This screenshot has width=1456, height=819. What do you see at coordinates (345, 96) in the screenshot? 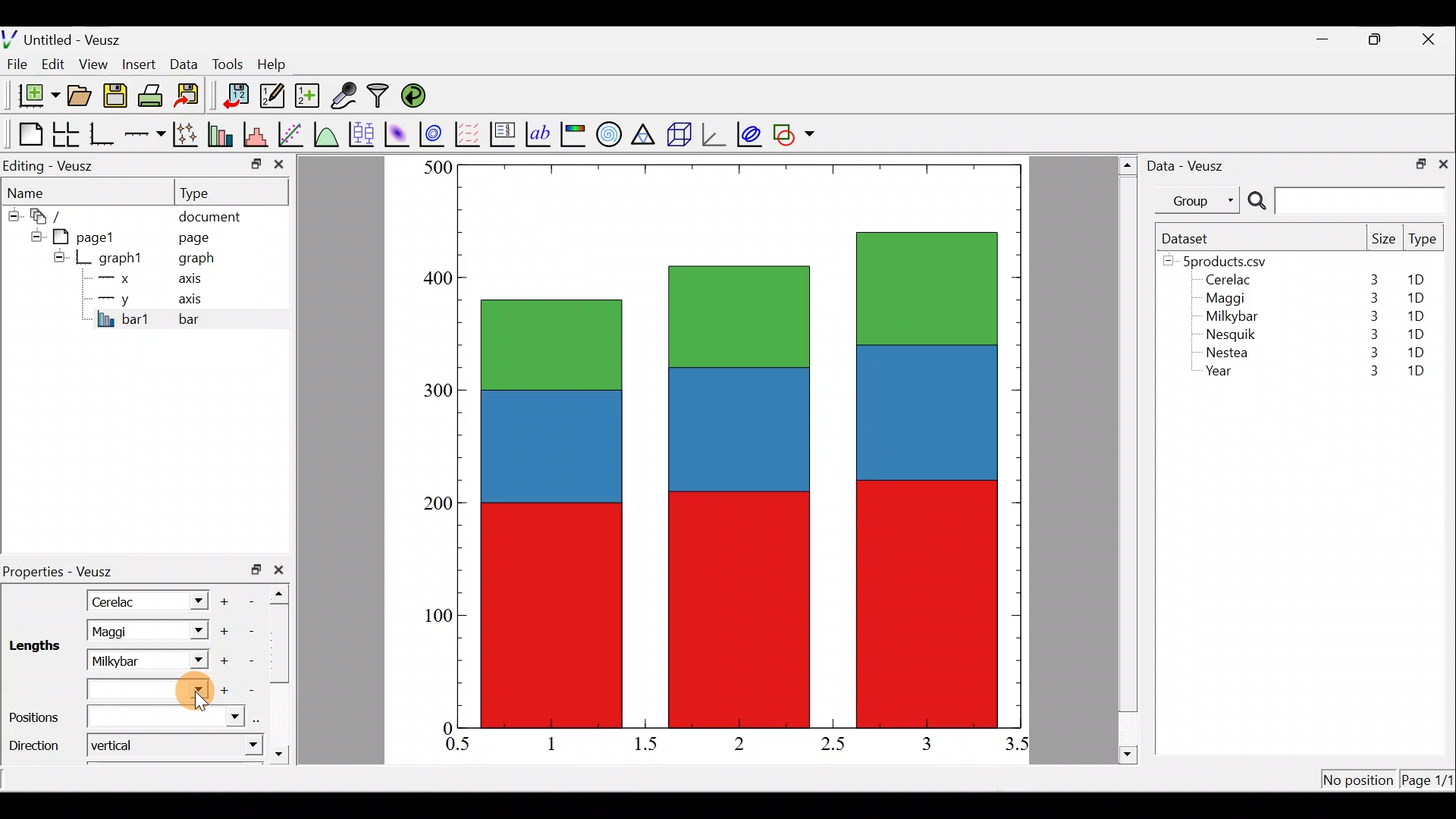
I see `Capture remote data` at bounding box center [345, 96].